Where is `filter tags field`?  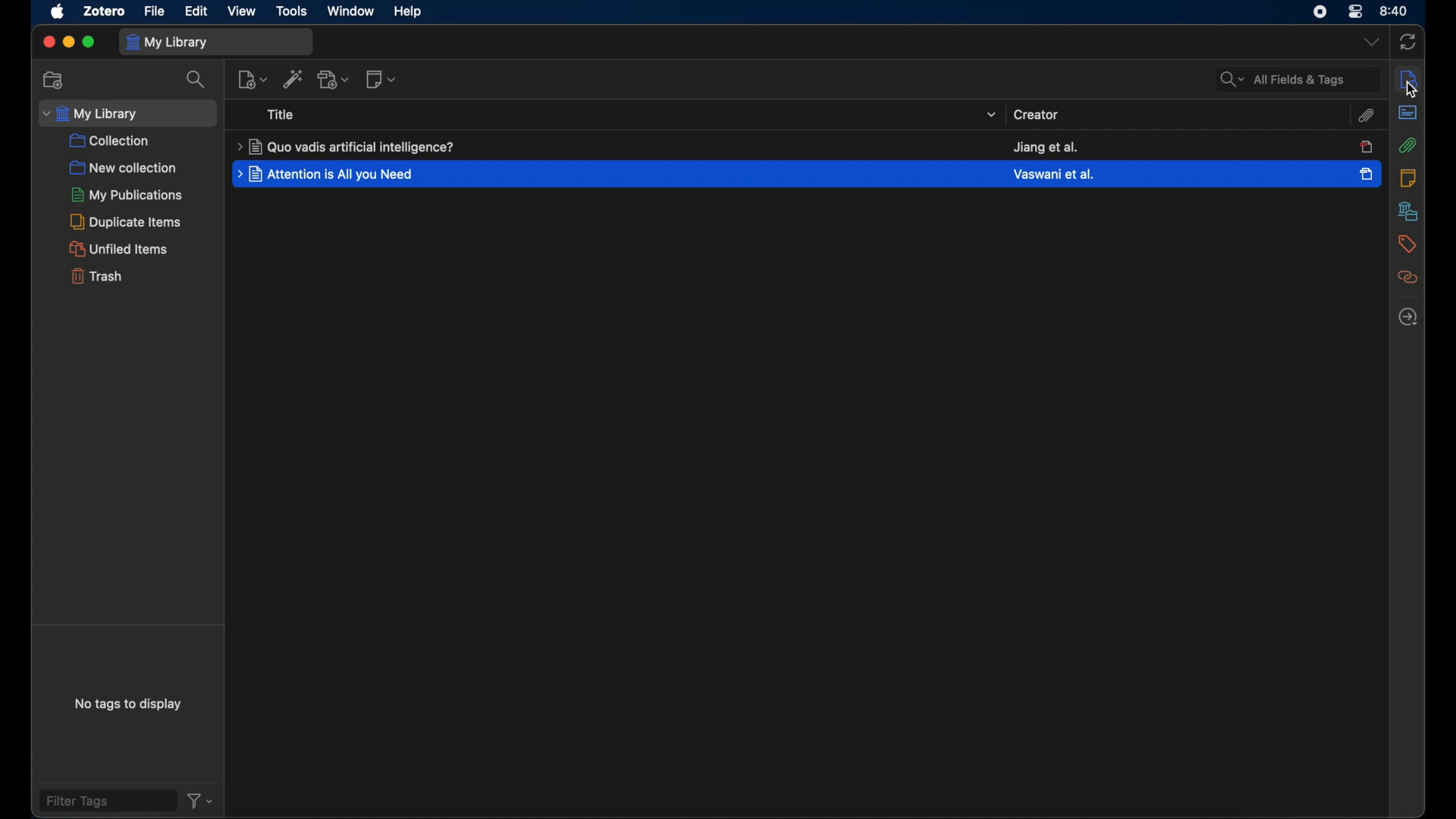 filter tags field is located at coordinates (107, 801).